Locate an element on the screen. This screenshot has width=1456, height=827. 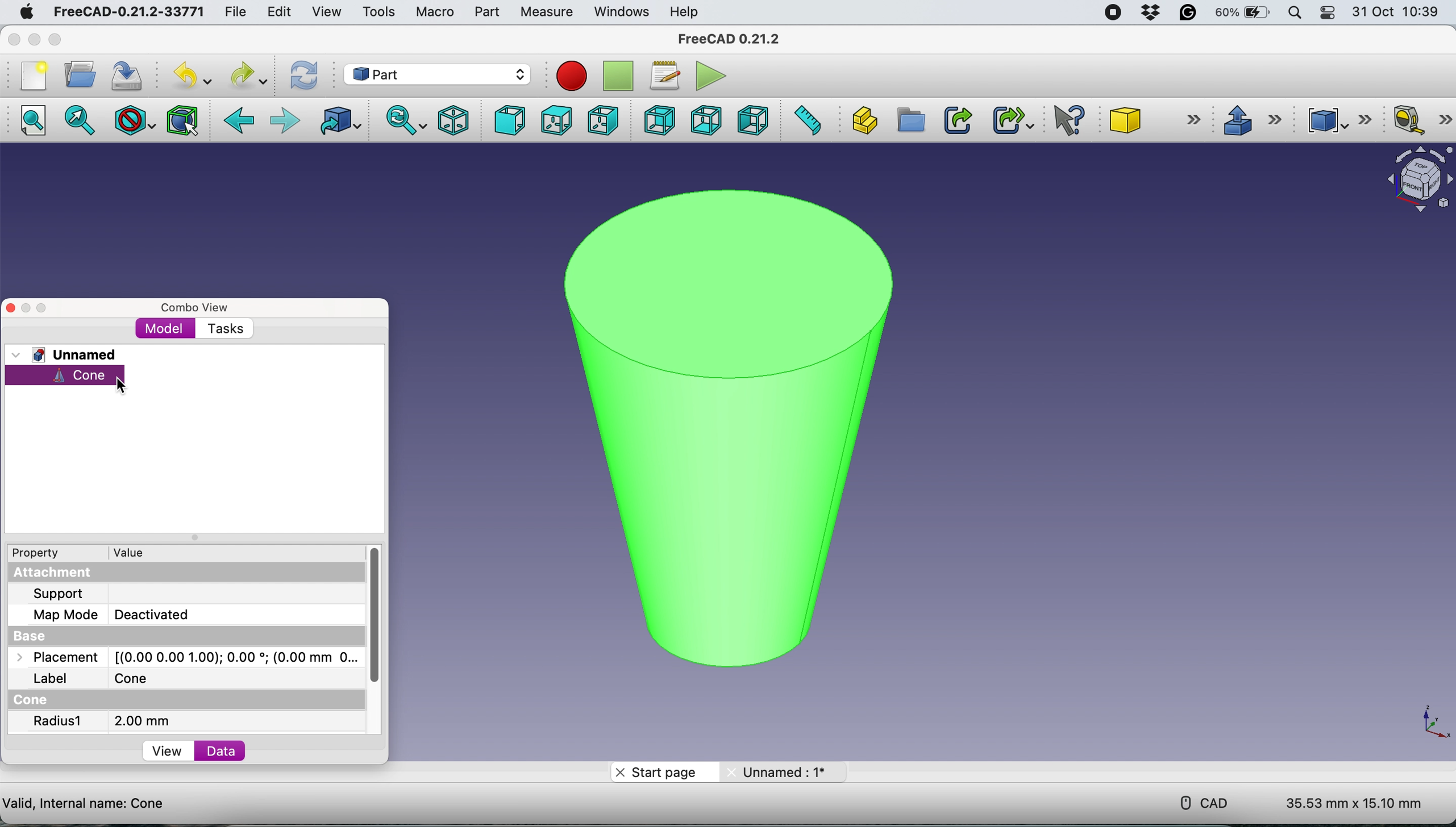
unnamed is located at coordinates (68, 354).